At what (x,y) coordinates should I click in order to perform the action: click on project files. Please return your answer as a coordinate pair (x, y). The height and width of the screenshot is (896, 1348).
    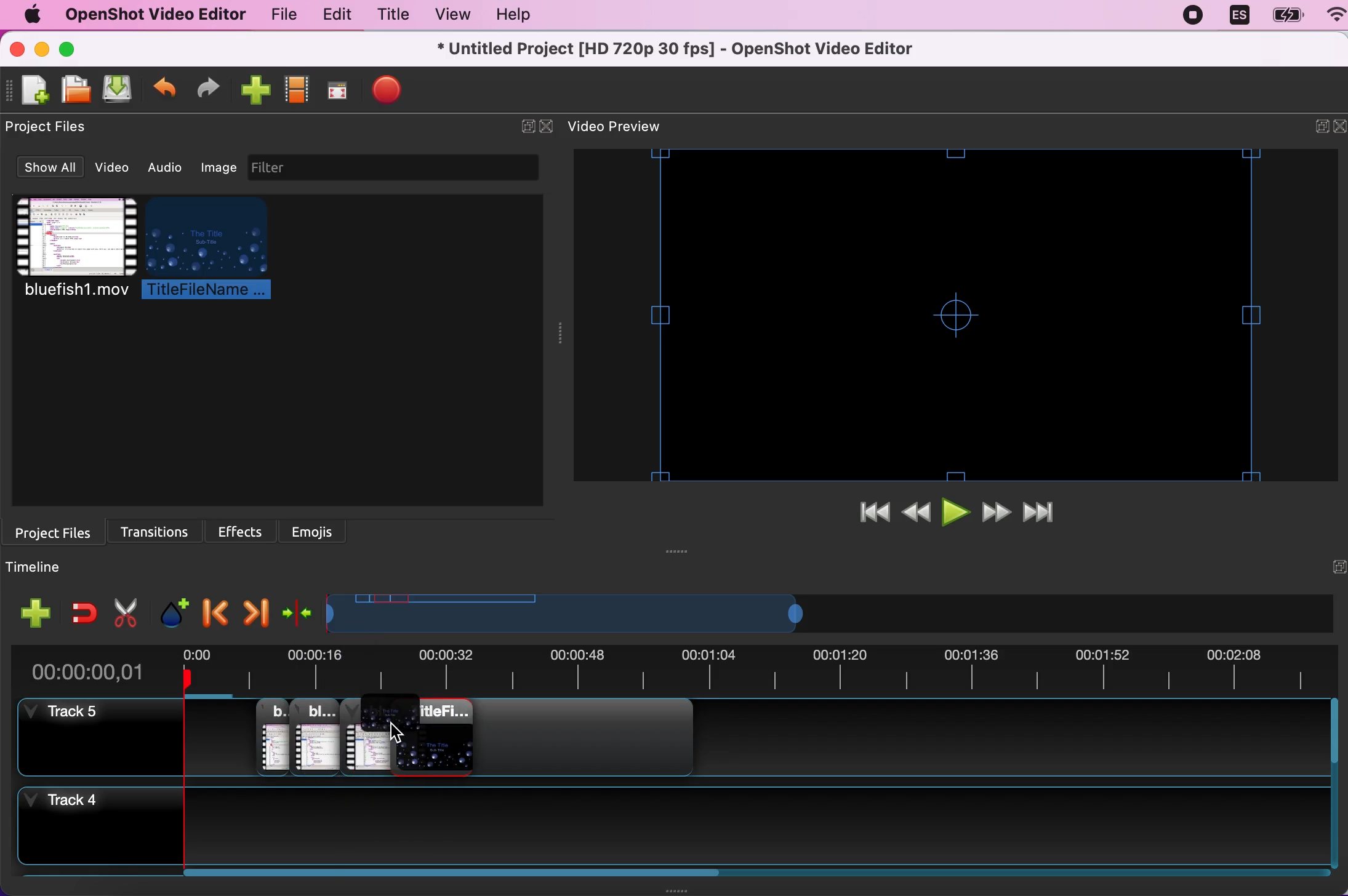
    Looking at the image, I should click on (54, 127).